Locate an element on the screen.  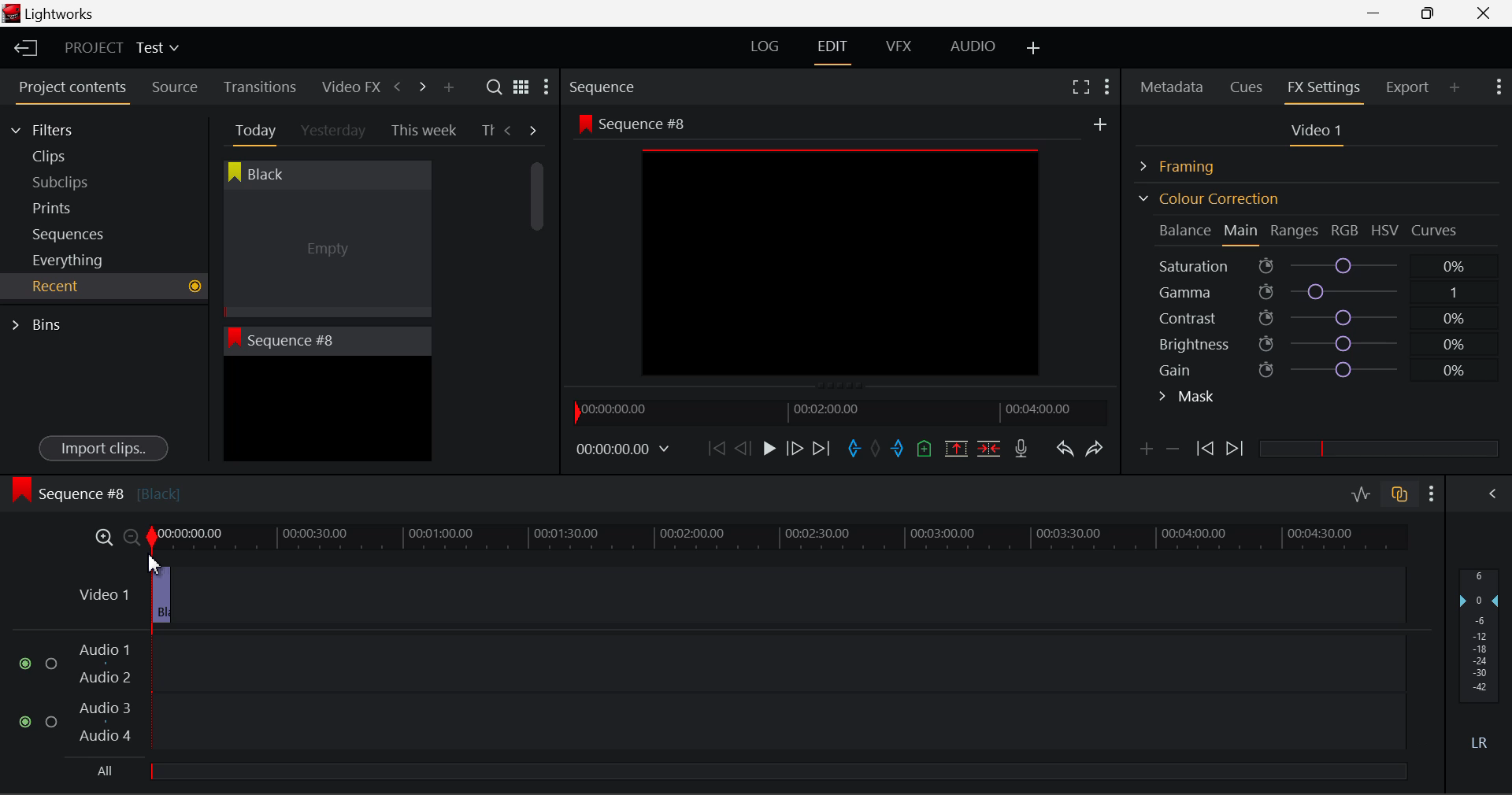
Restore Down is located at coordinates (1379, 13).